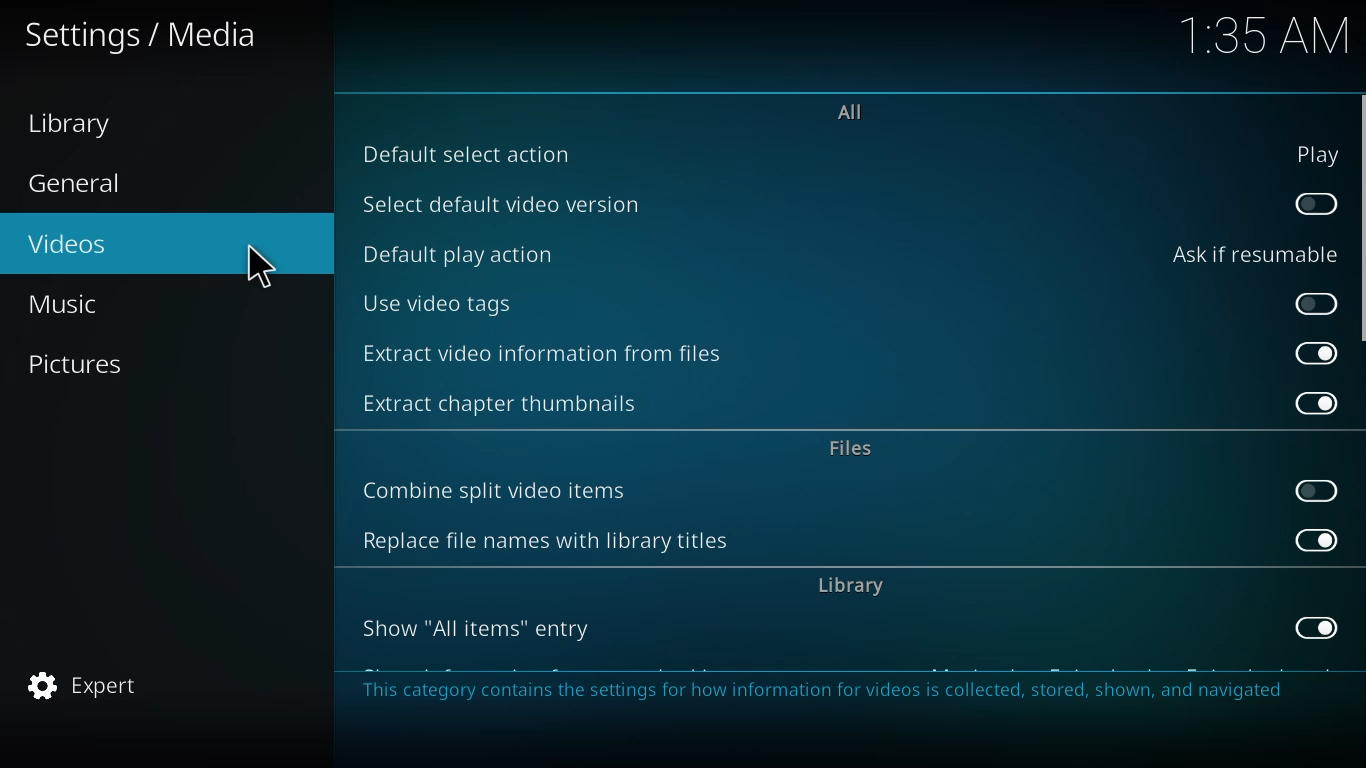  What do you see at coordinates (1316, 155) in the screenshot?
I see `play` at bounding box center [1316, 155].